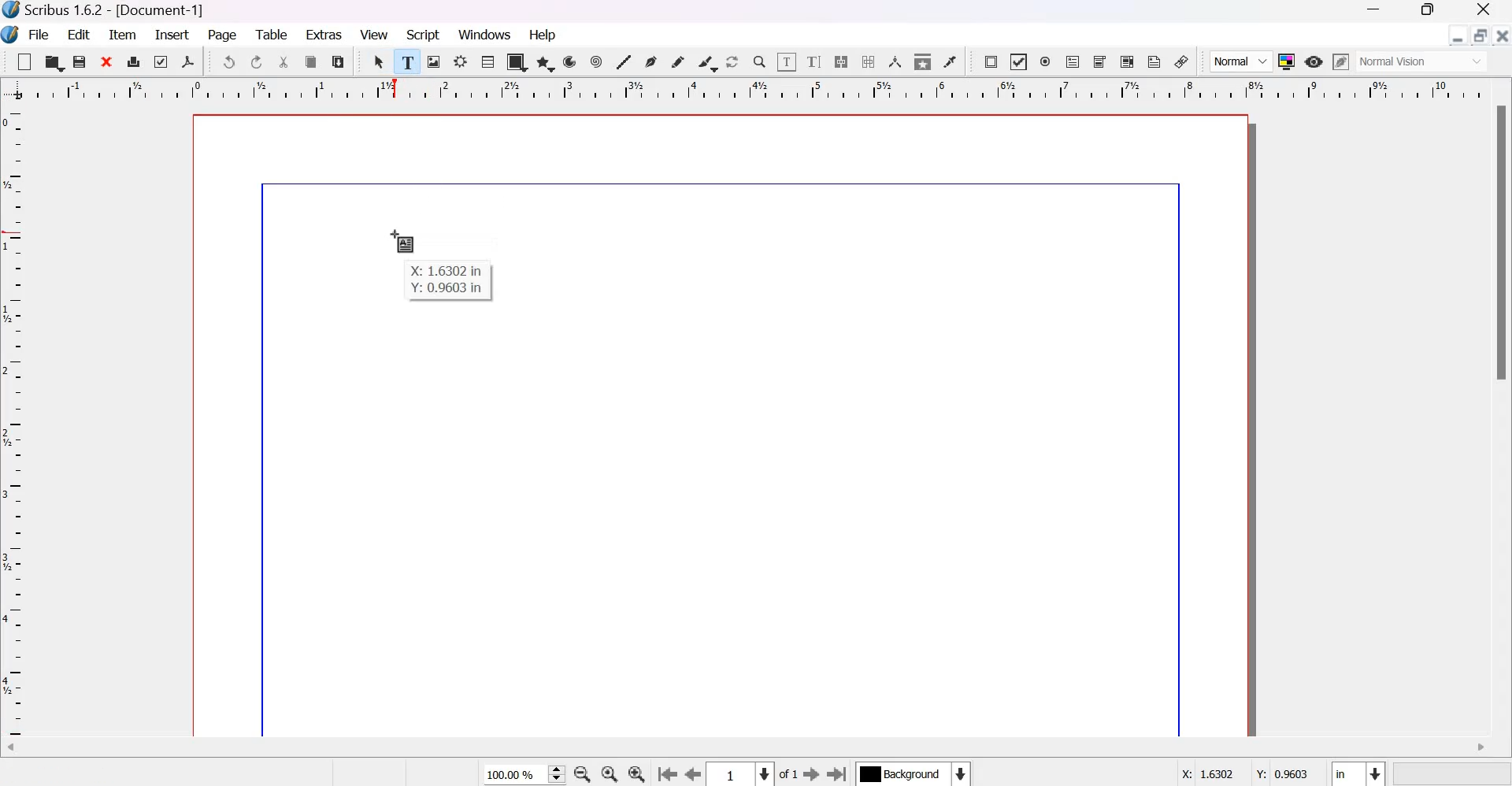 This screenshot has height=786, width=1512. What do you see at coordinates (113, 11) in the screenshot?
I see `Scribus 1.6.2 - [Document-1]` at bounding box center [113, 11].